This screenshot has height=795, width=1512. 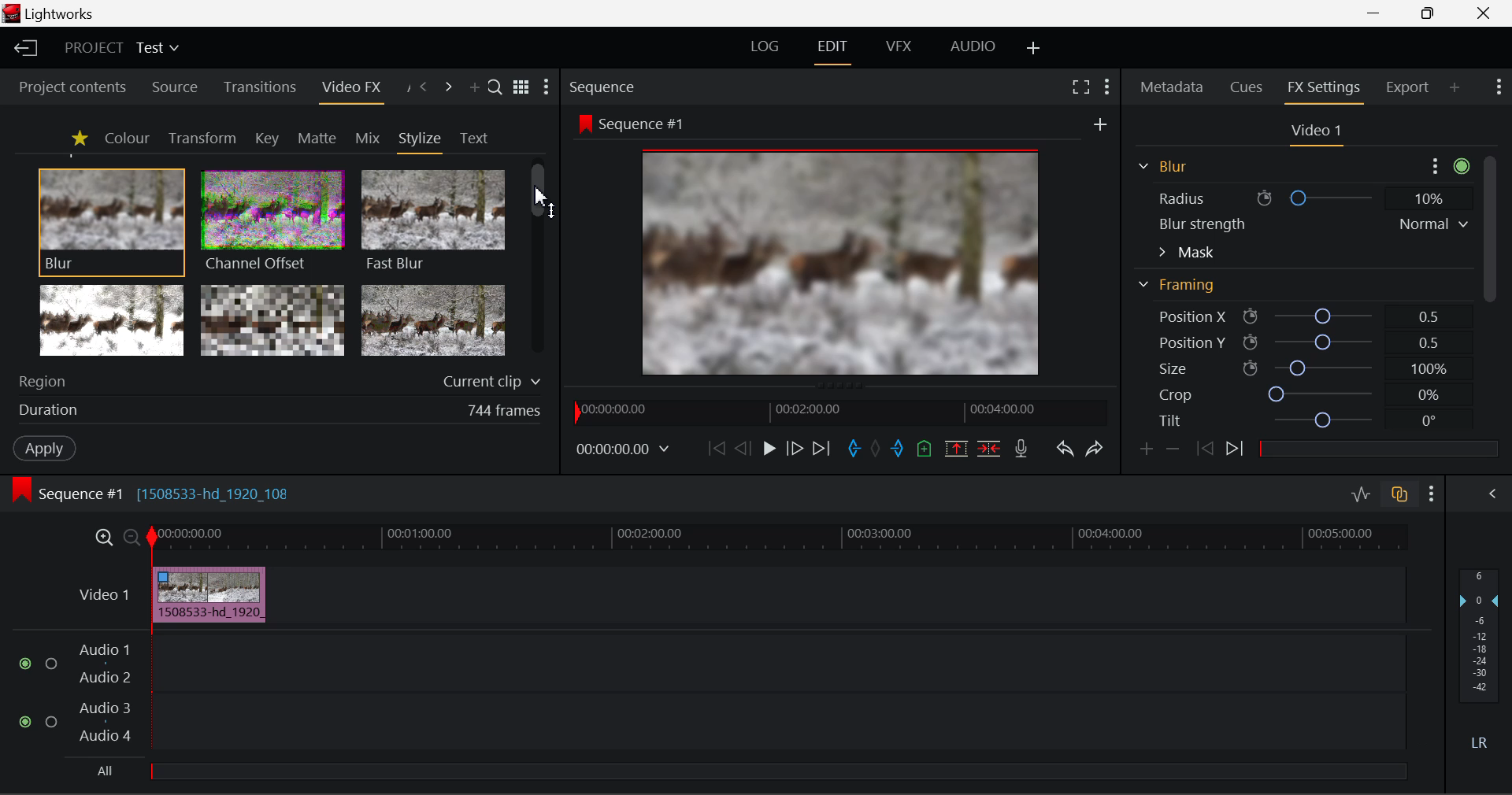 I want to click on Play, so click(x=767, y=449).